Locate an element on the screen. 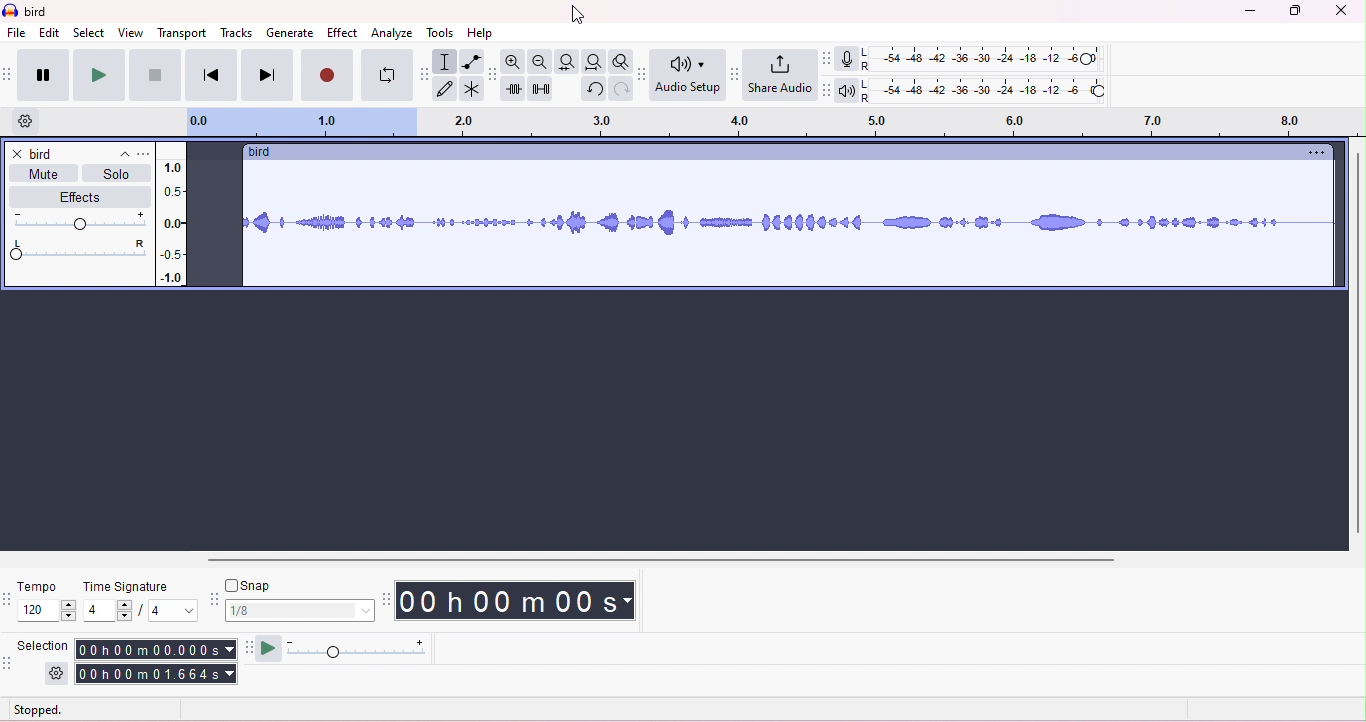  horizontal scroll bar is located at coordinates (667, 559).